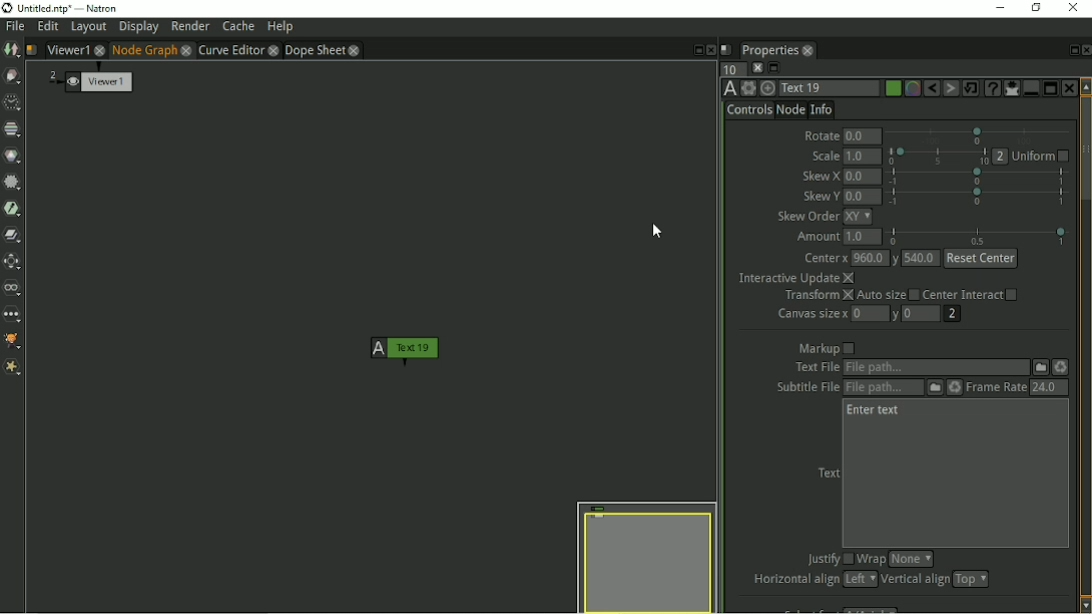 The height and width of the screenshot is (614, 1092). I want to click on GMIC, so click(14, 340).